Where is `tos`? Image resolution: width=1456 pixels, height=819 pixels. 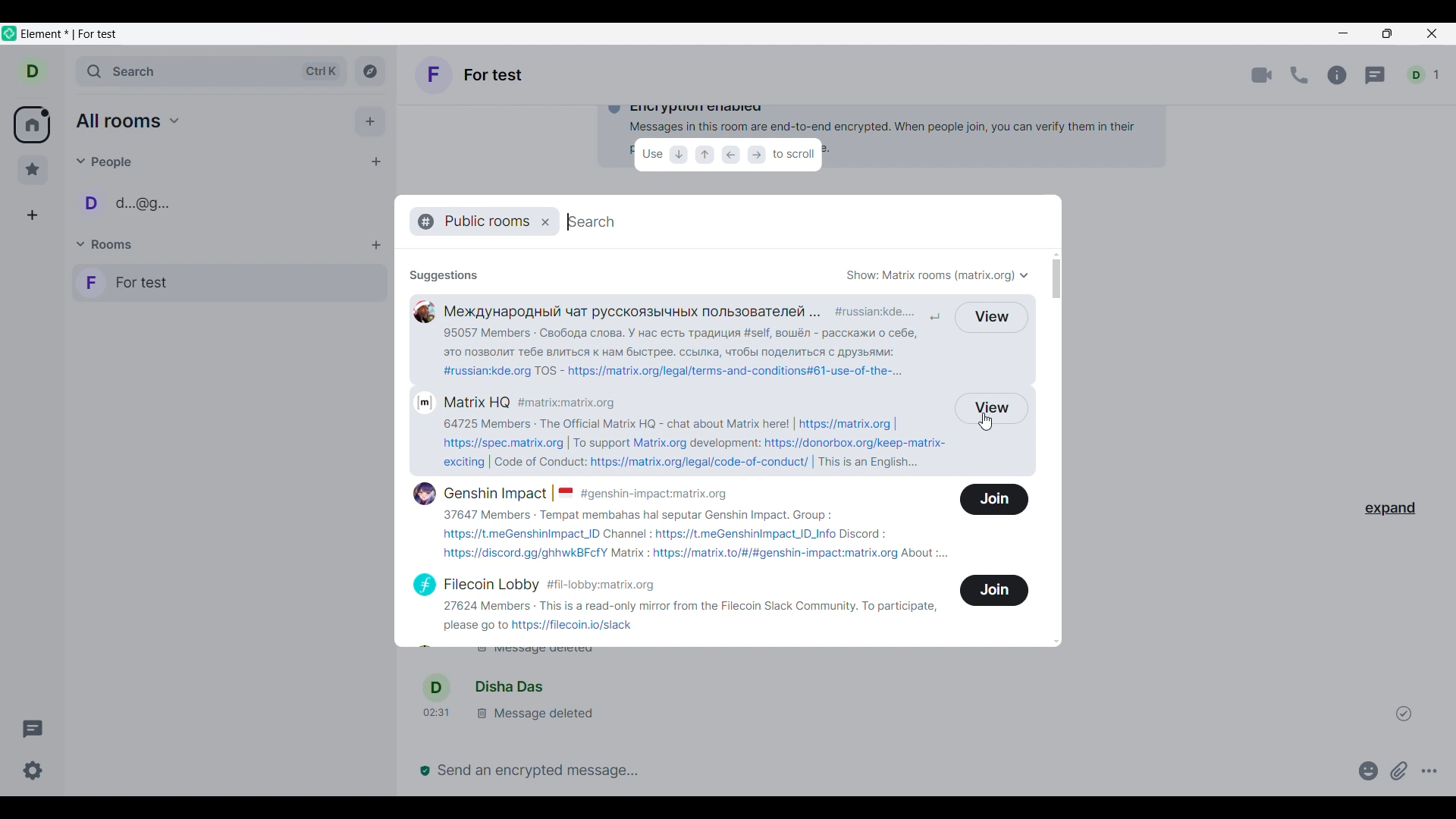
tos is located at coordinates (548, 371).